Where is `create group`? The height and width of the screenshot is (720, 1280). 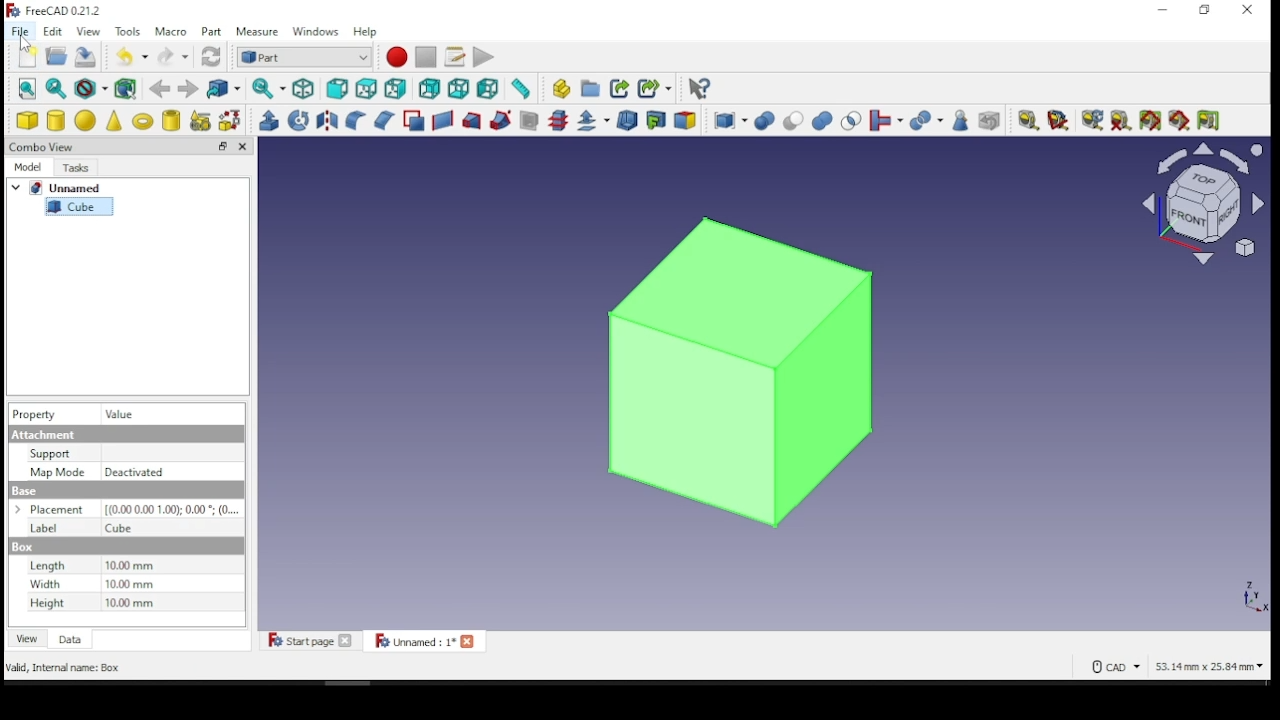
create group is located at coordinates (588, 88).